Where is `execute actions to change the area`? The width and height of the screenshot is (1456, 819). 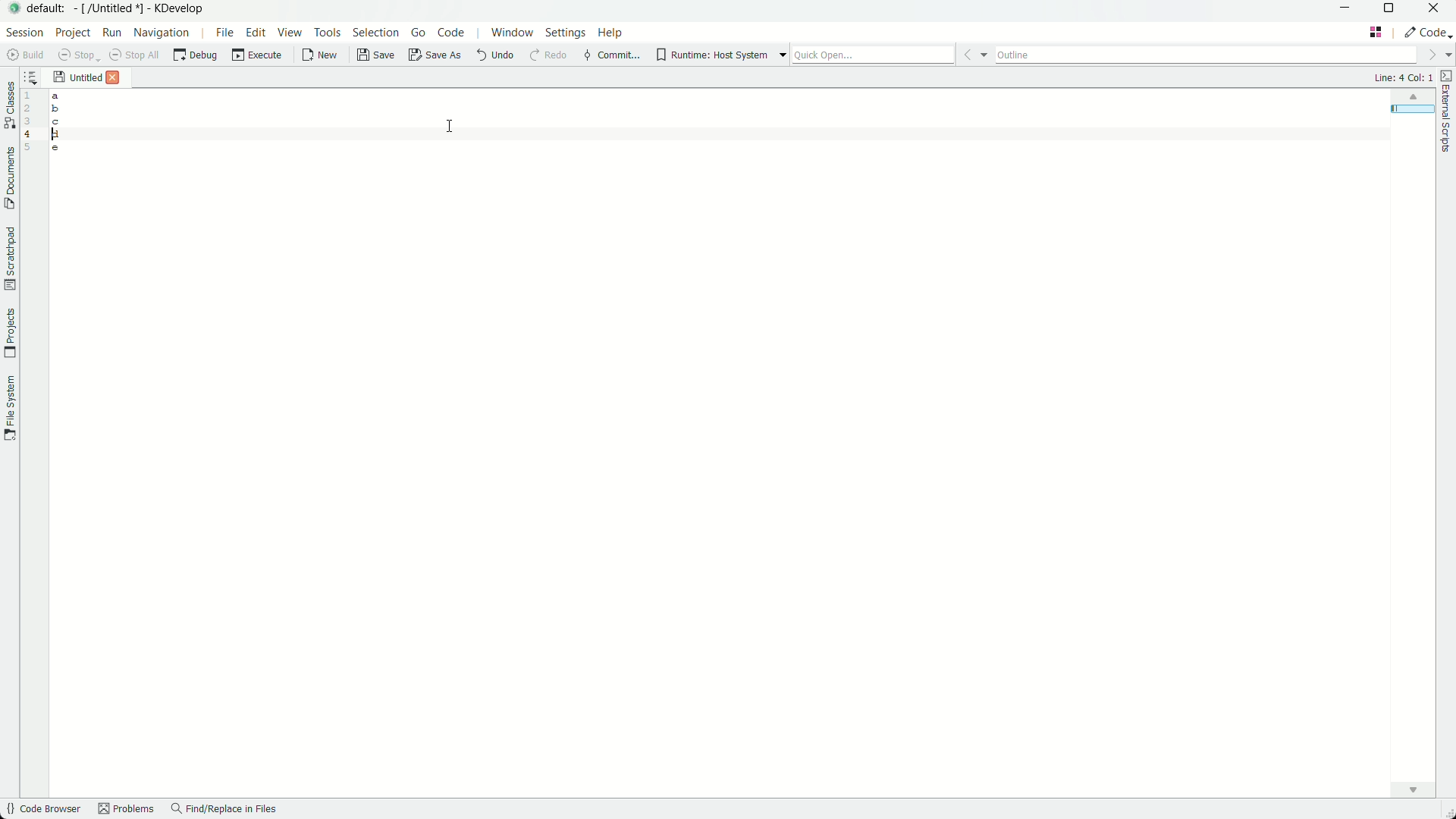
execute actions to change the area is located at coordinates (1429, 32).